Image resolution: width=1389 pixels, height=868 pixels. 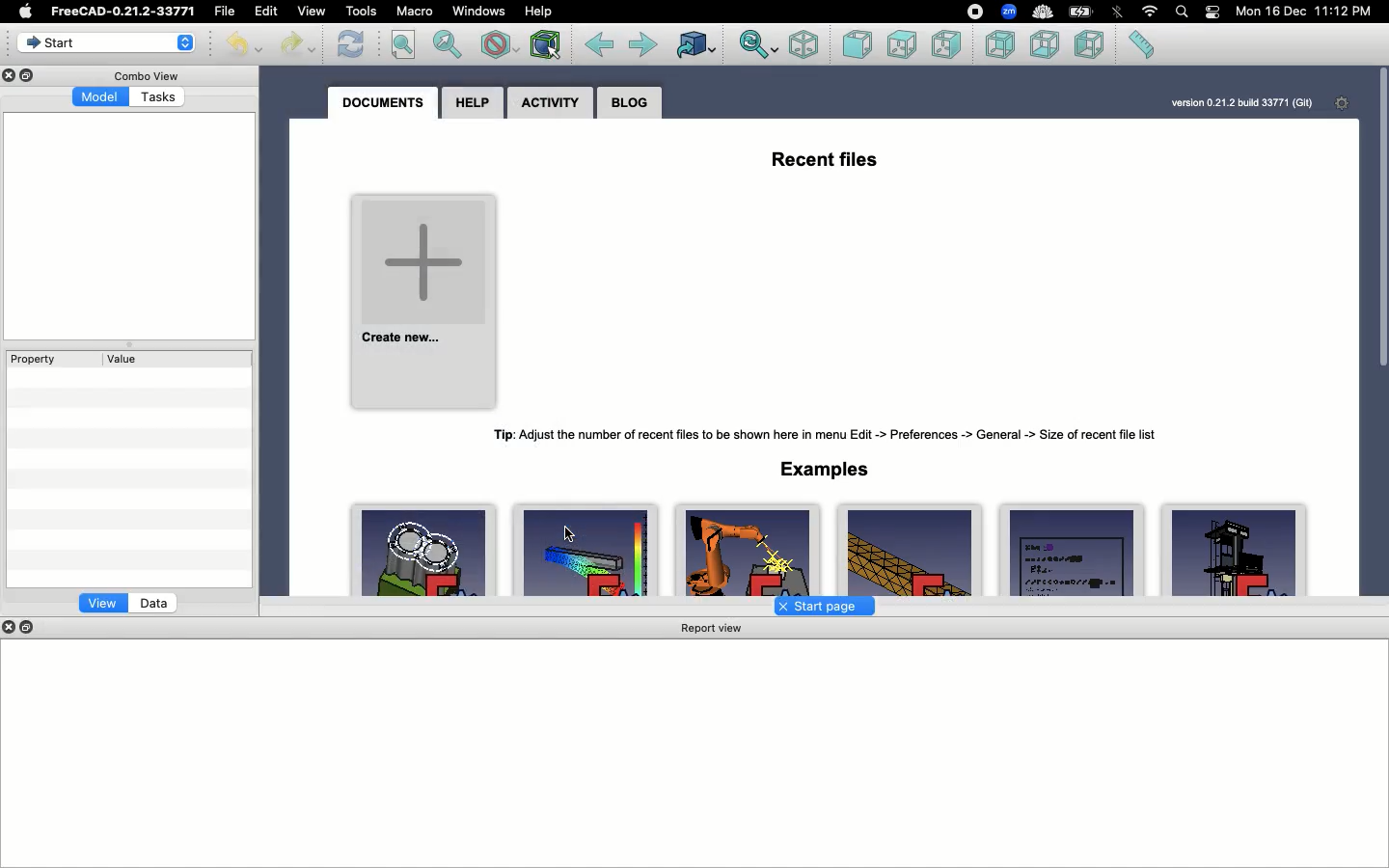 I want to click on File, so click(x=229, y=12).